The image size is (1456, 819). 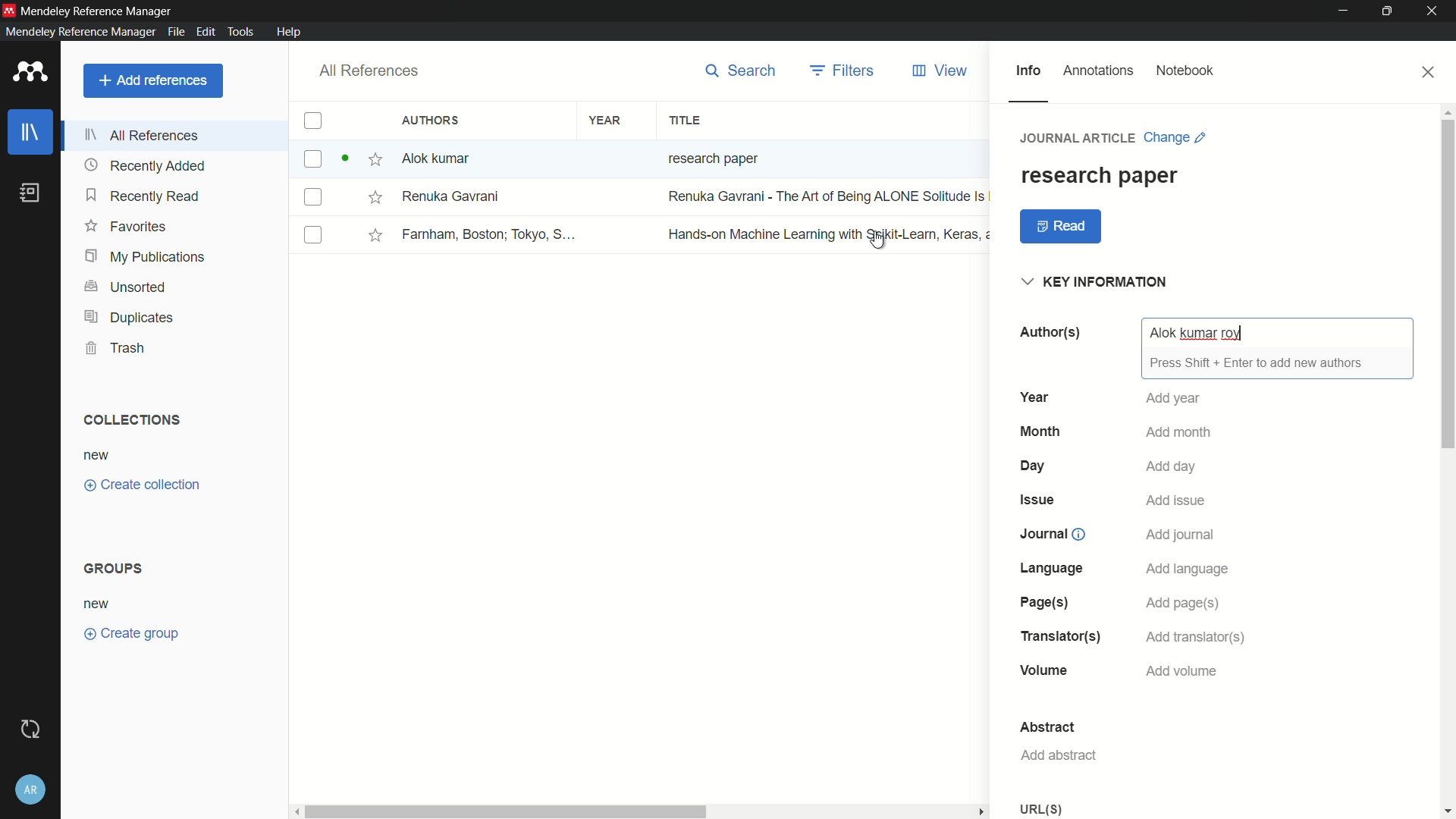 I want to click on favorites, so click(x=125, y=225).